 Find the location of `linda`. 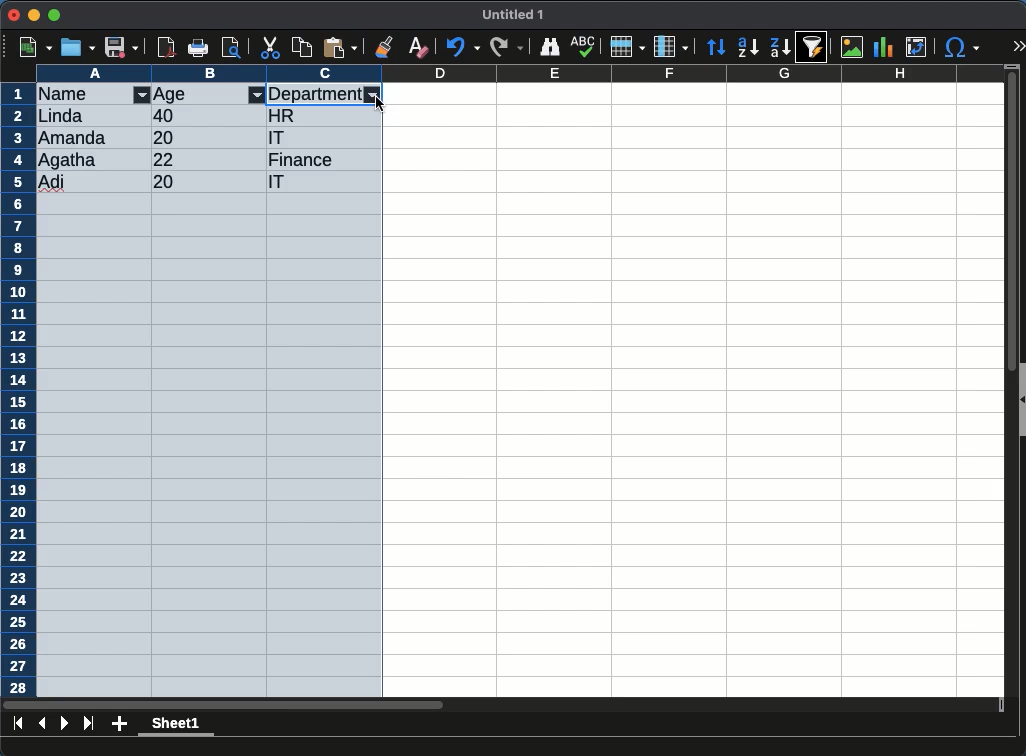

linda is located at coordinates (59, 116).